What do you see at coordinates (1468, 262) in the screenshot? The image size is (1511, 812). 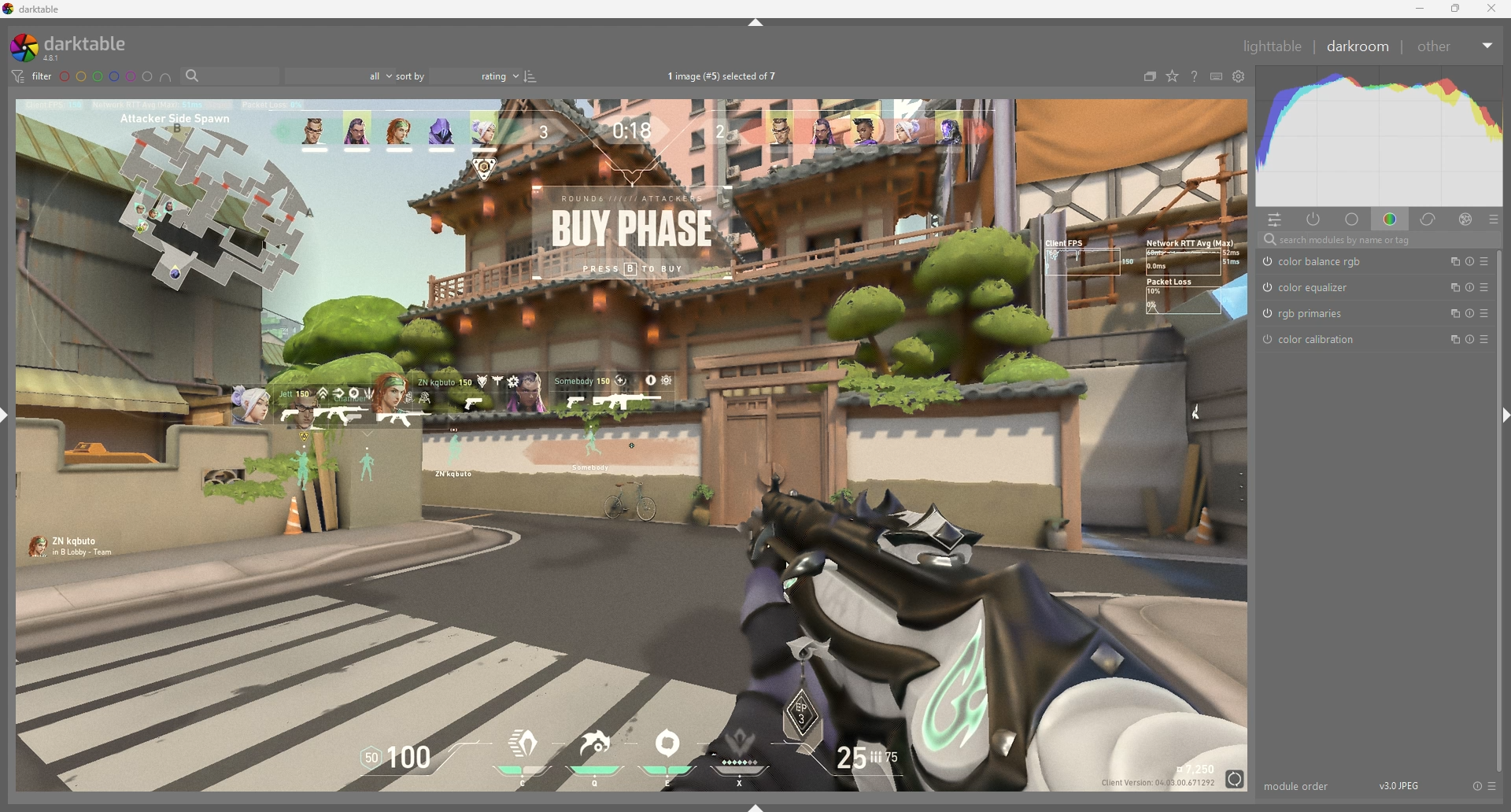 I see `reset` at bounding box center [1468, 262].